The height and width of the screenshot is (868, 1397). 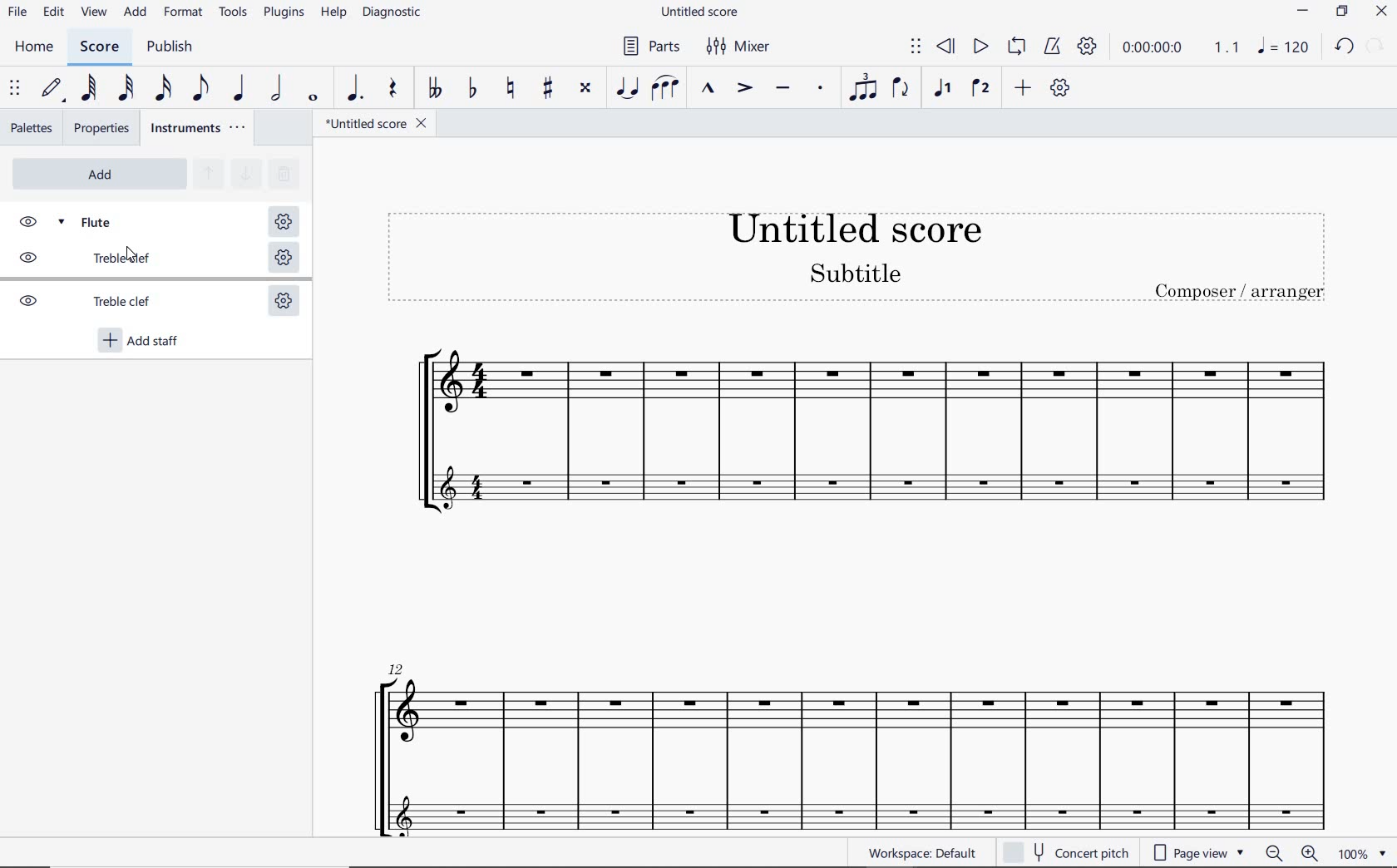 What do you see at coordinates (858, 257) in the screenshot?
I see `Title` at bounding box center [858, 257].